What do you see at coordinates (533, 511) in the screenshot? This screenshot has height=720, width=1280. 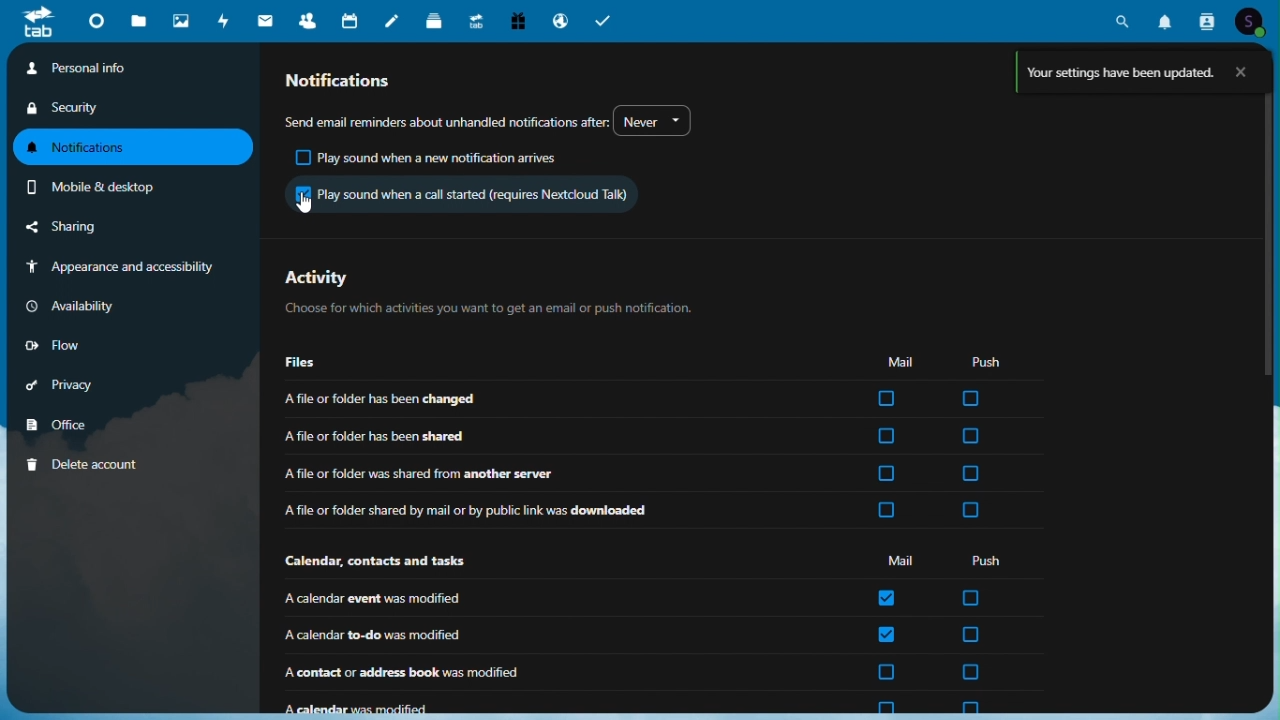 I see `A file or folder has been shared by a public link` at bounding box center [533, 511].